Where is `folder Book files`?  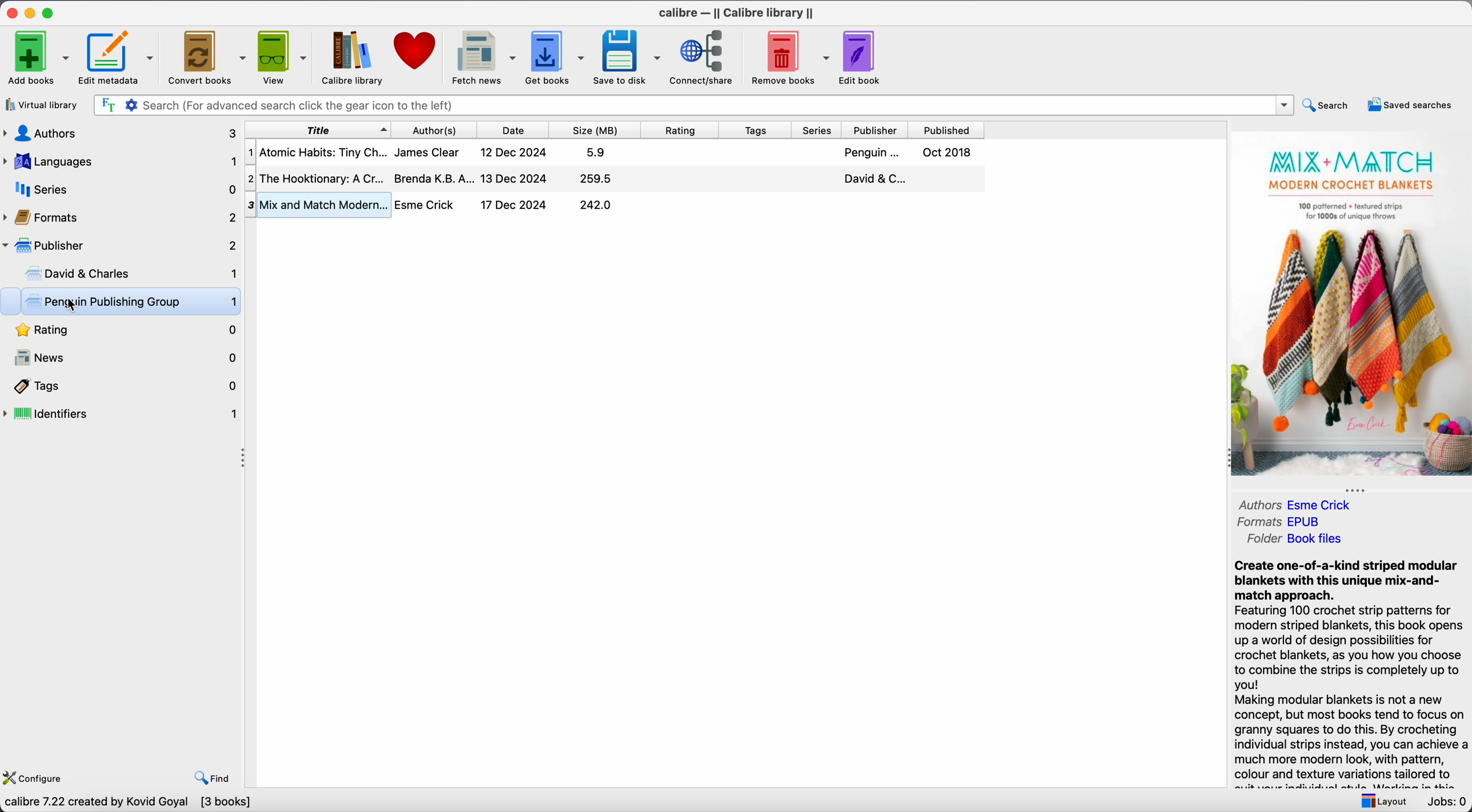 folder Book files is located at coordinates (1296, 539).